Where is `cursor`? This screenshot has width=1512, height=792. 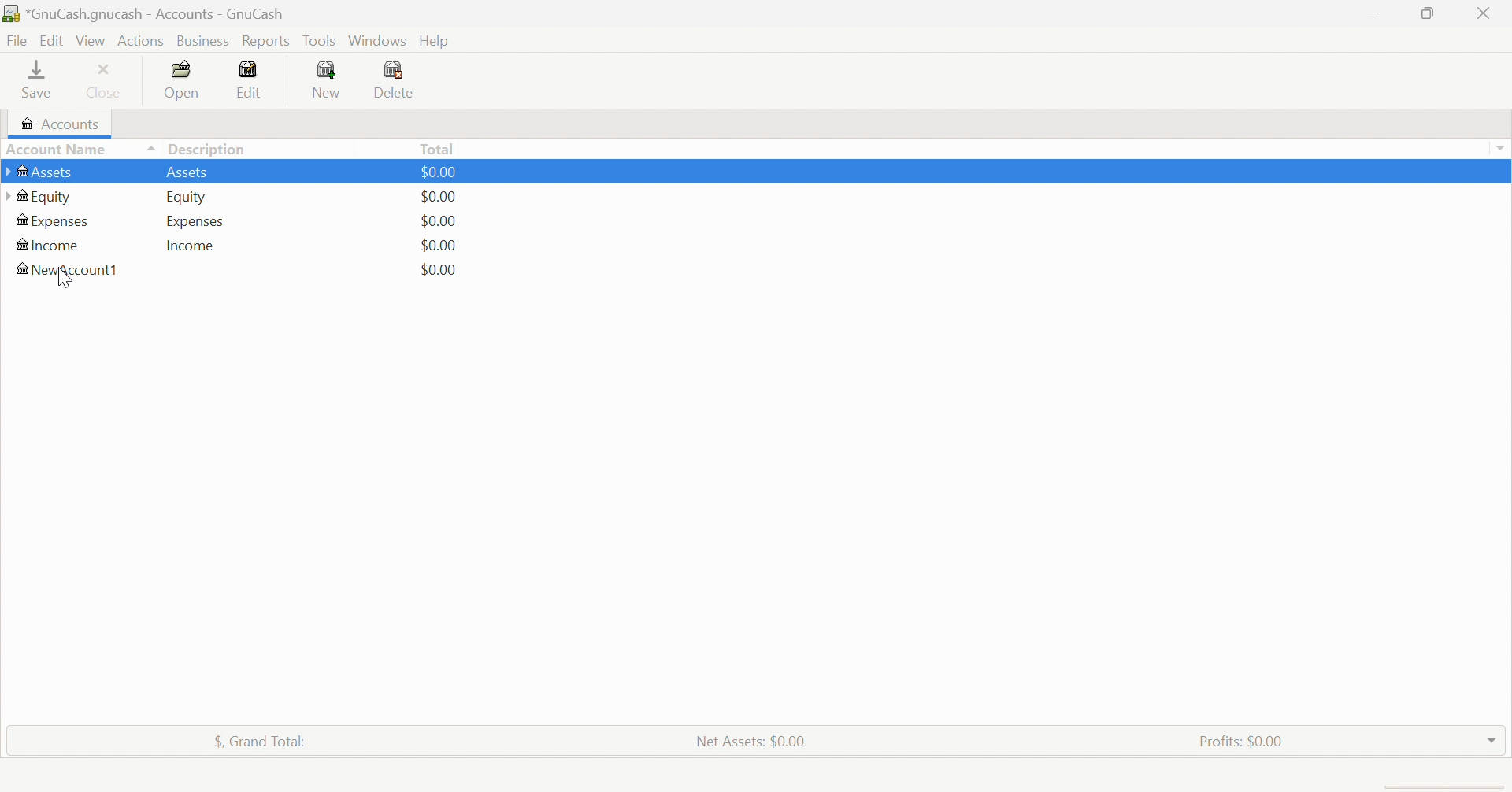 cursor is located at coordinates (65, 279).